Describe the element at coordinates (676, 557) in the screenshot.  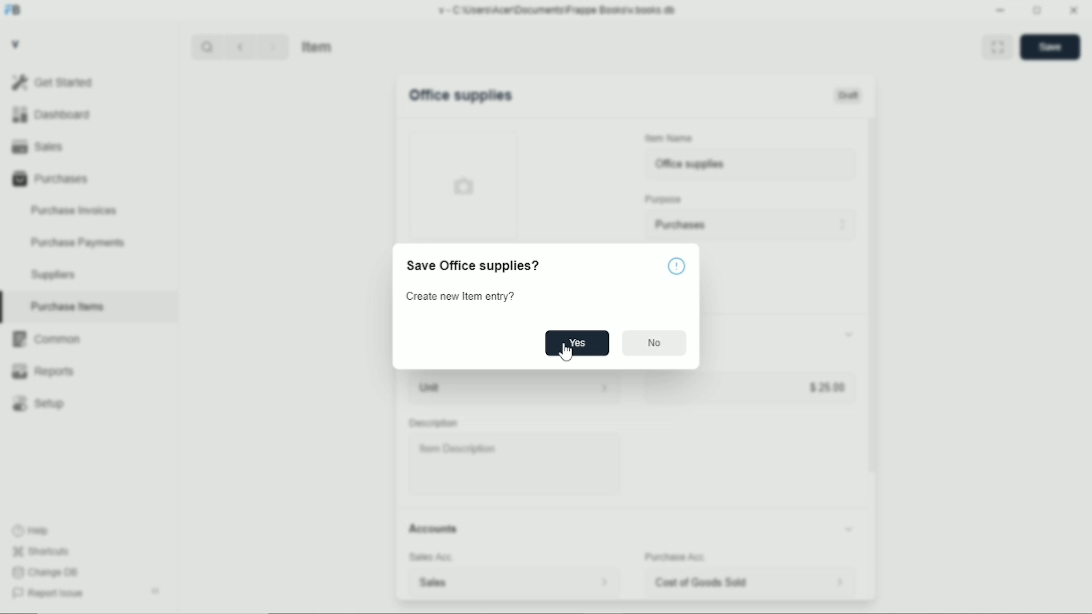
I see `purchase acc.` at that location.